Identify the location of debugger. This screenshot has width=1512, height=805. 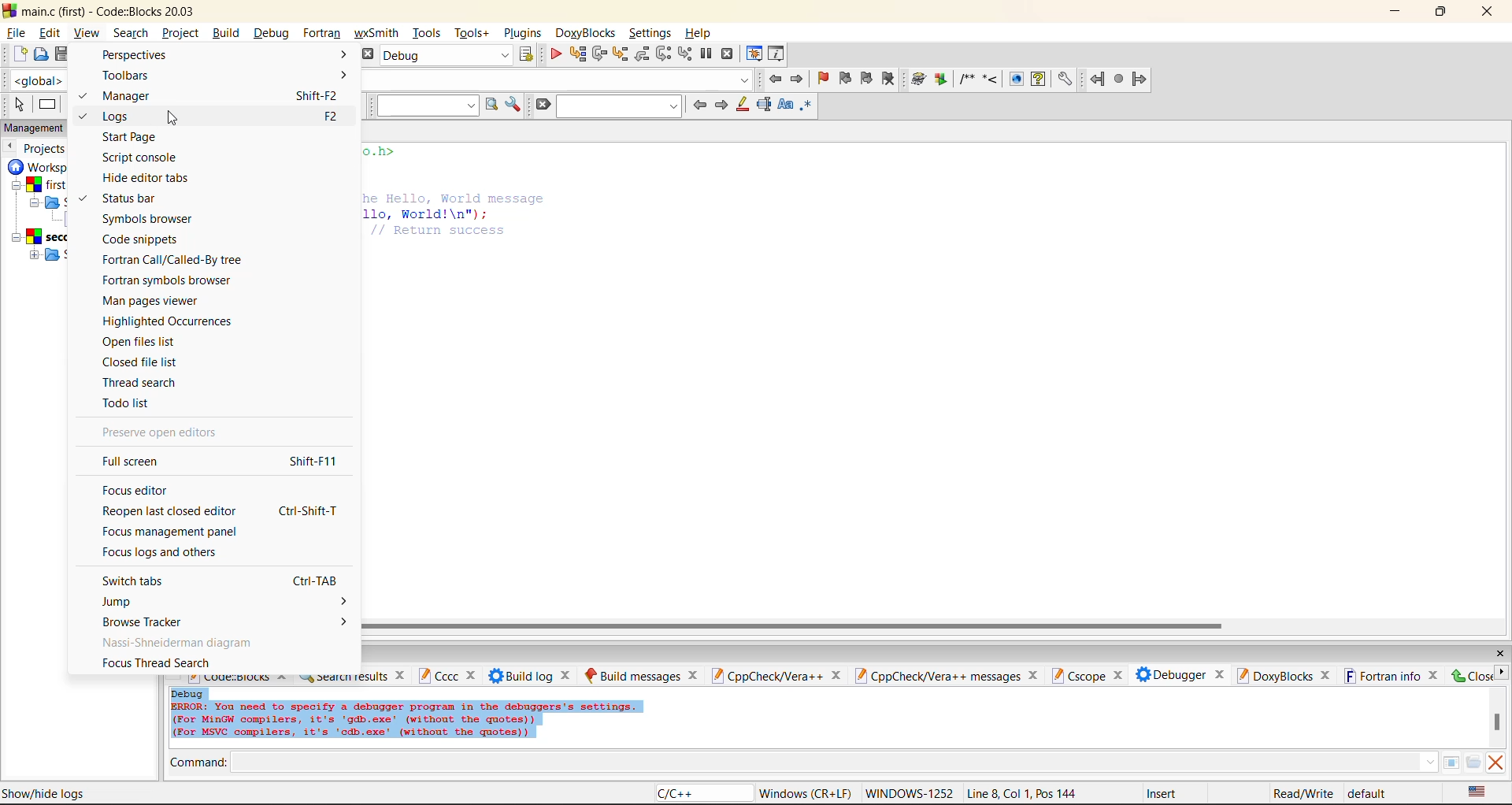
(1180, 675).